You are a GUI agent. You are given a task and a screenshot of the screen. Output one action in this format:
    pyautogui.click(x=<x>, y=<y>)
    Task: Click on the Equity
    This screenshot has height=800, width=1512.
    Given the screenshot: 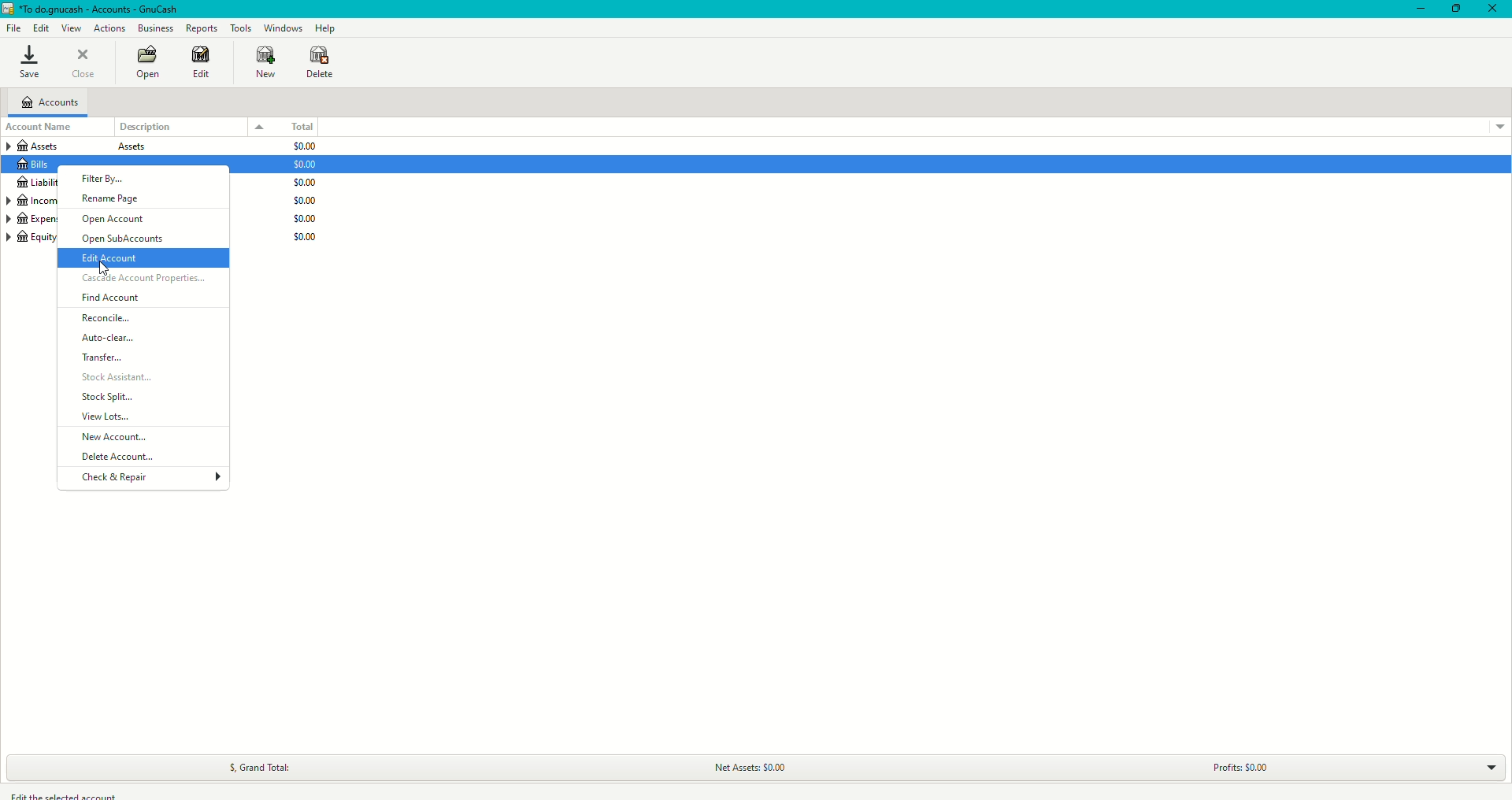 What is the action you would take?
    pyautogui.click(x=31, y=242)
    